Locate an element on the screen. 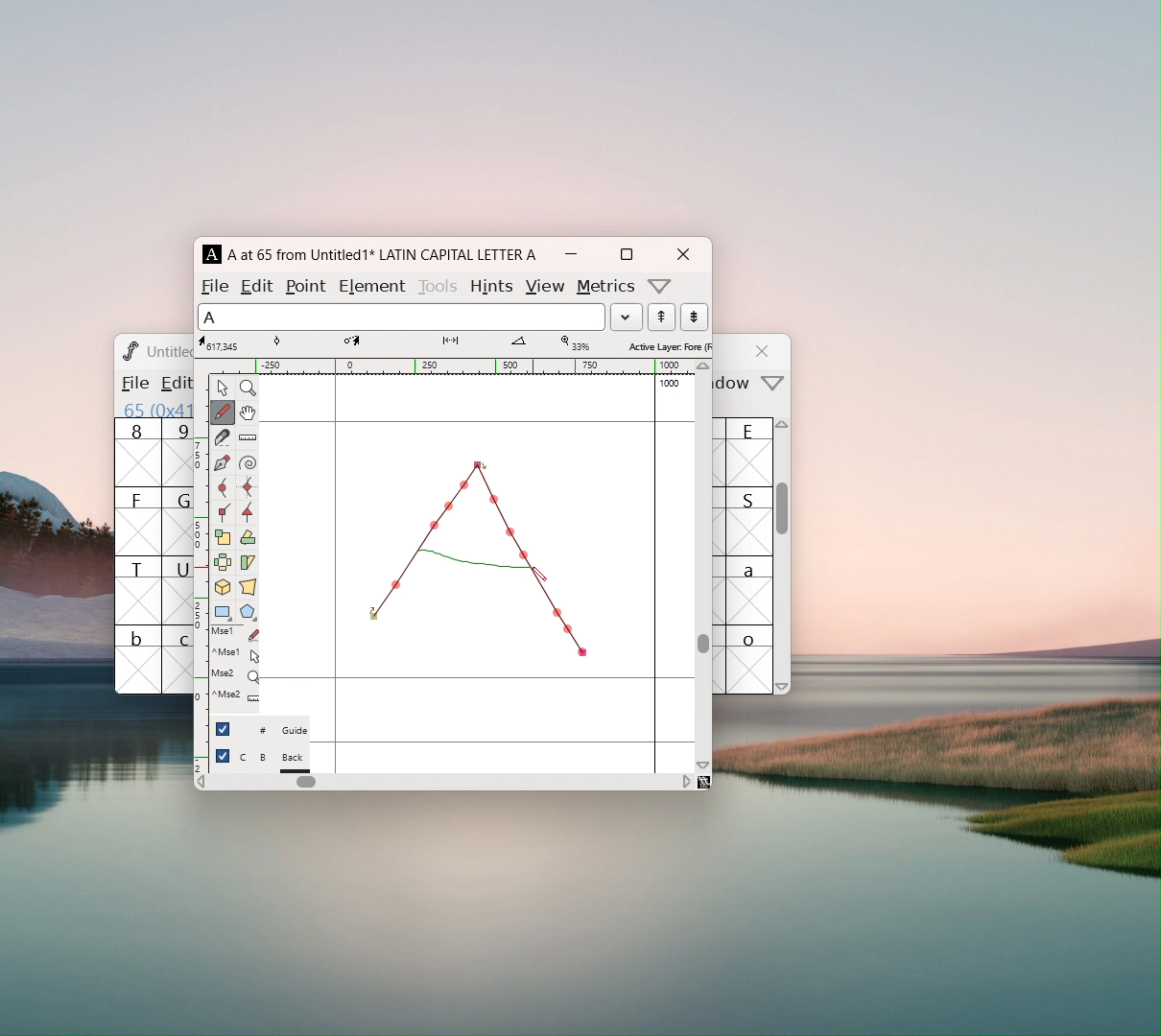 This screenshot has width=1161, height=1036. S is located at coordinates (749, 521).